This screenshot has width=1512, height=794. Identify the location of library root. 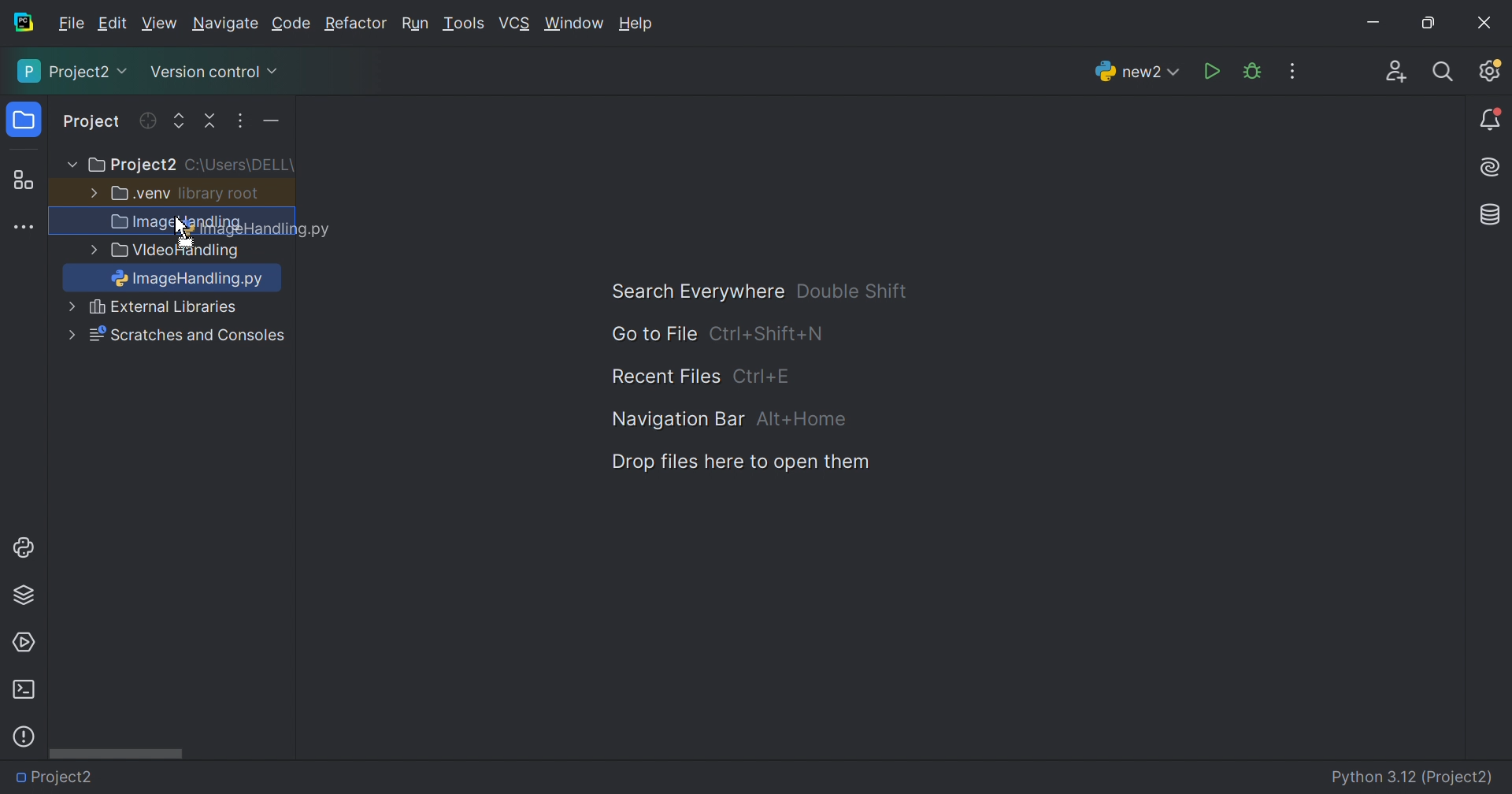
(220, 193).